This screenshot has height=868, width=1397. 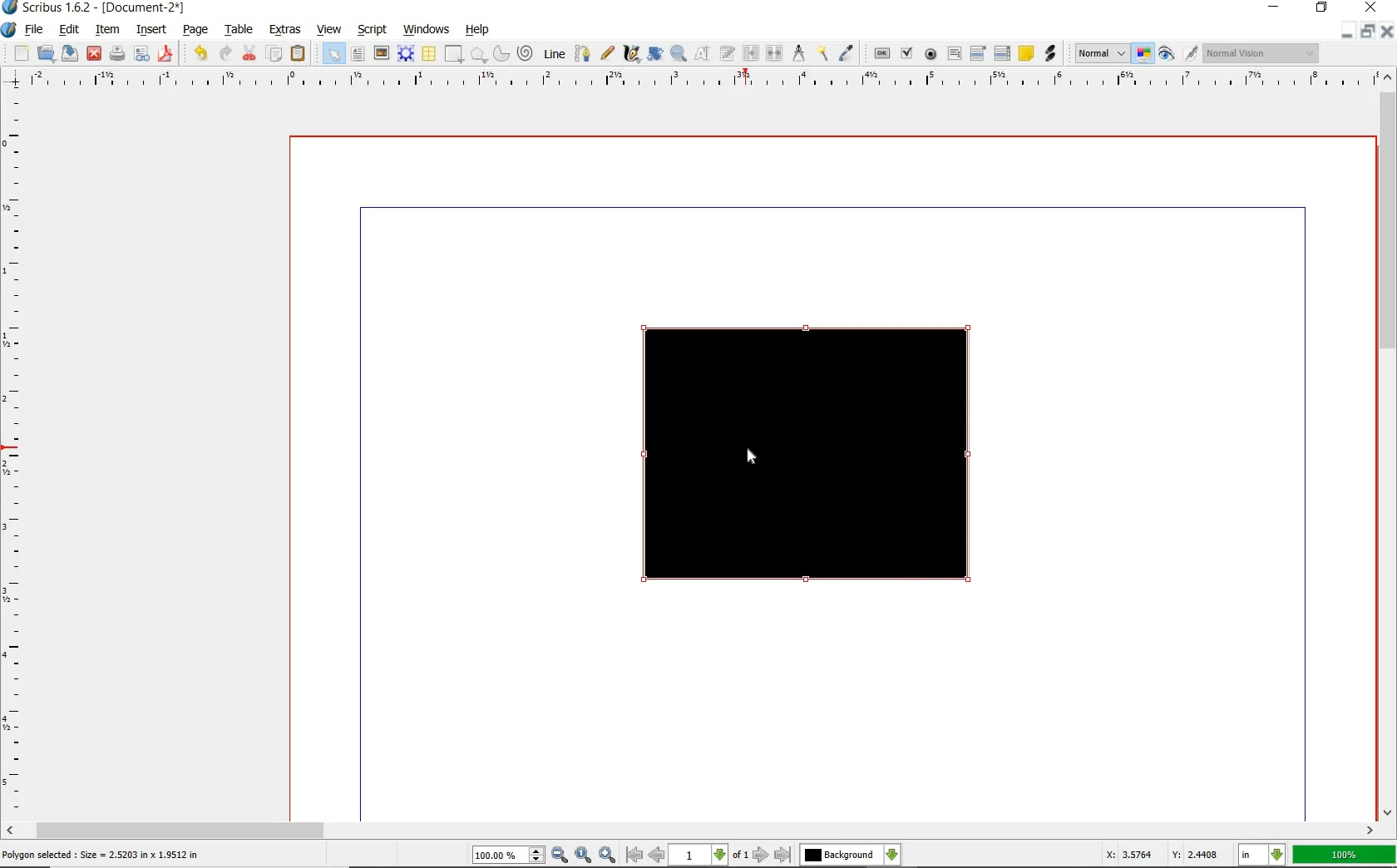 What do you see at coordinates (607, 853) in the screenshot?
I see `zoom in` at bounding box center [607, 853].